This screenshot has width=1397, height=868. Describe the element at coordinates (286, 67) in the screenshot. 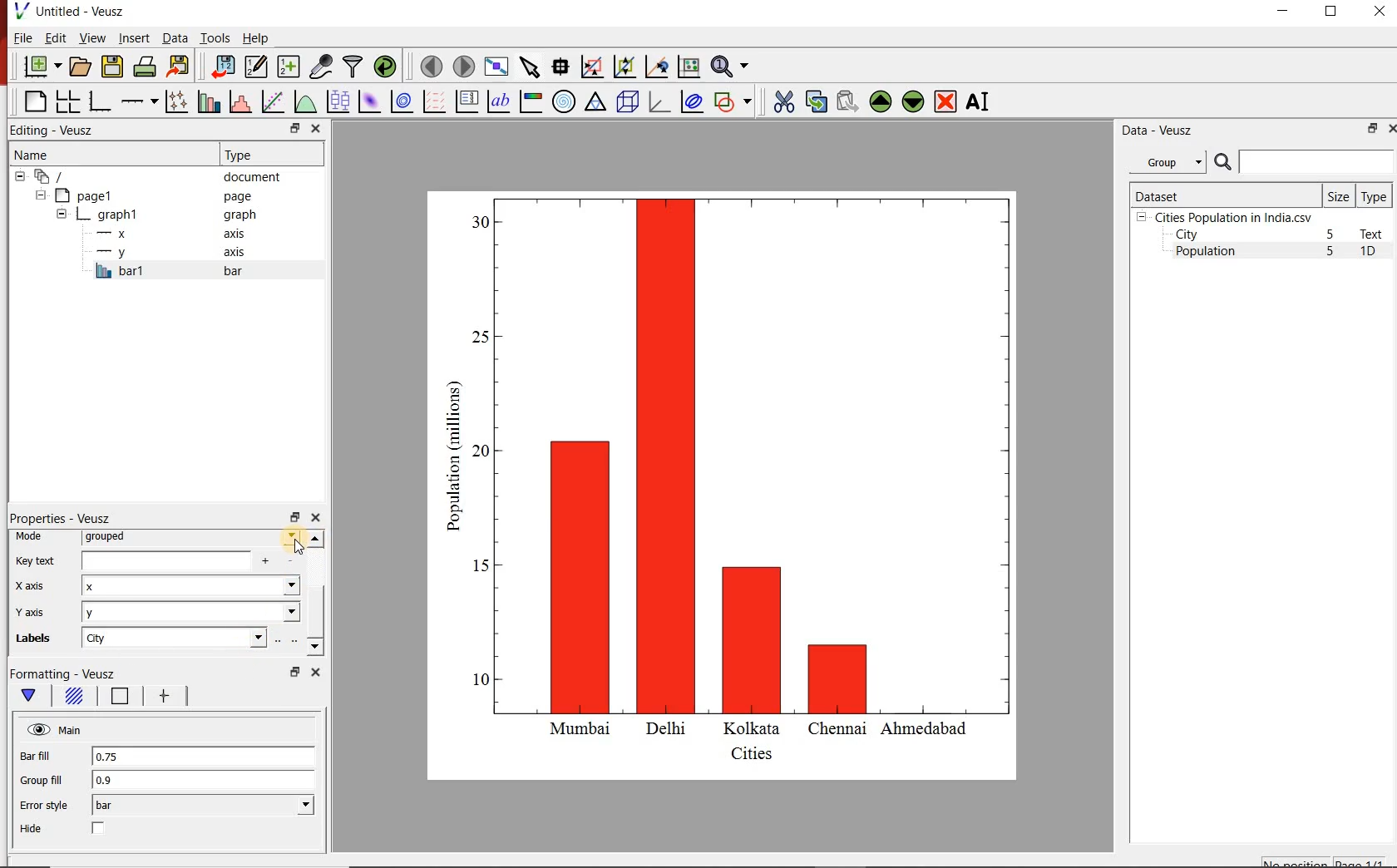

I see `create new datasets using available options` at that location.